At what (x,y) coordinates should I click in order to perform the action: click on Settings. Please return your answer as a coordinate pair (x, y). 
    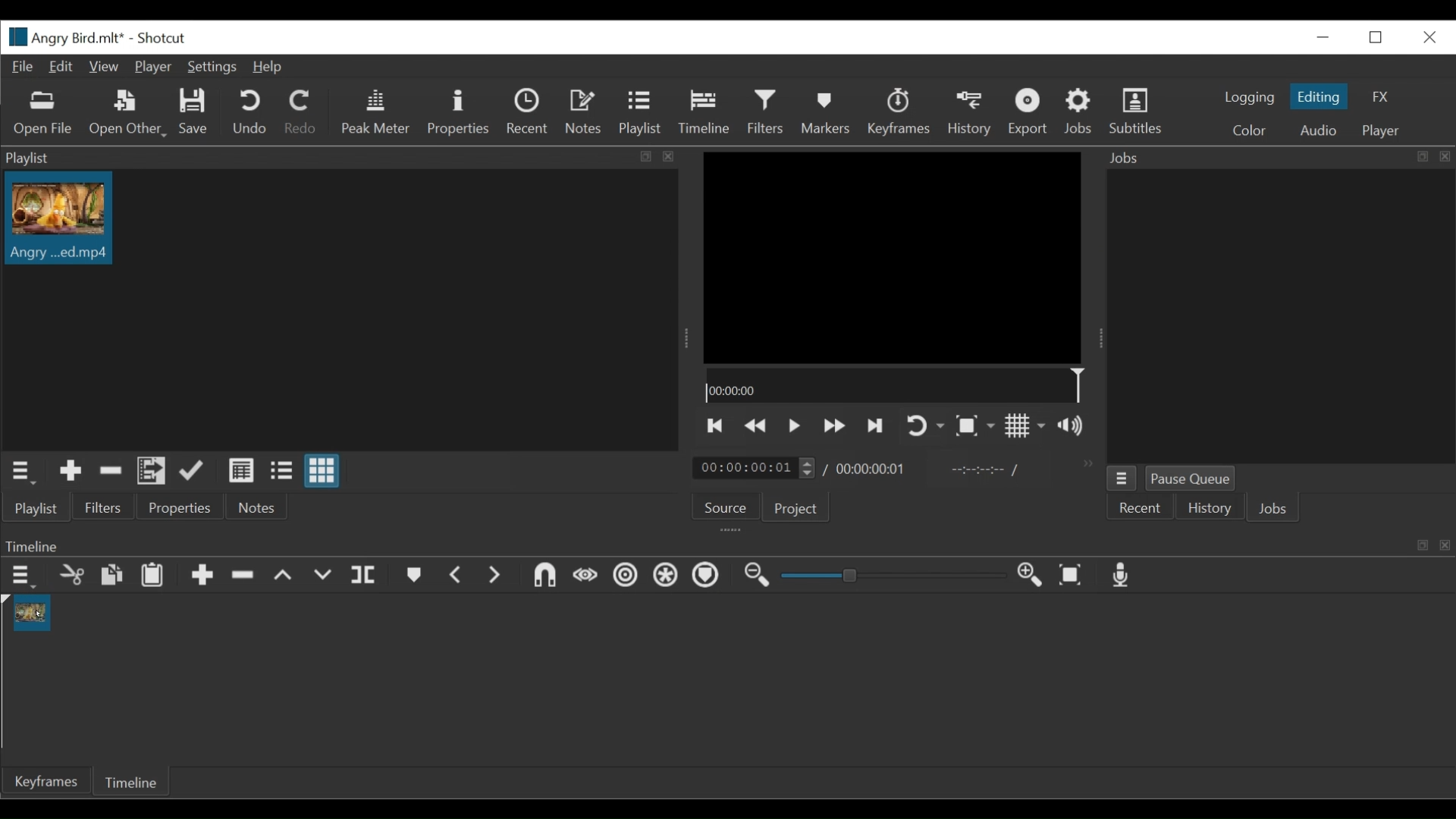
    Looking at the image, I should click on (212, 67).